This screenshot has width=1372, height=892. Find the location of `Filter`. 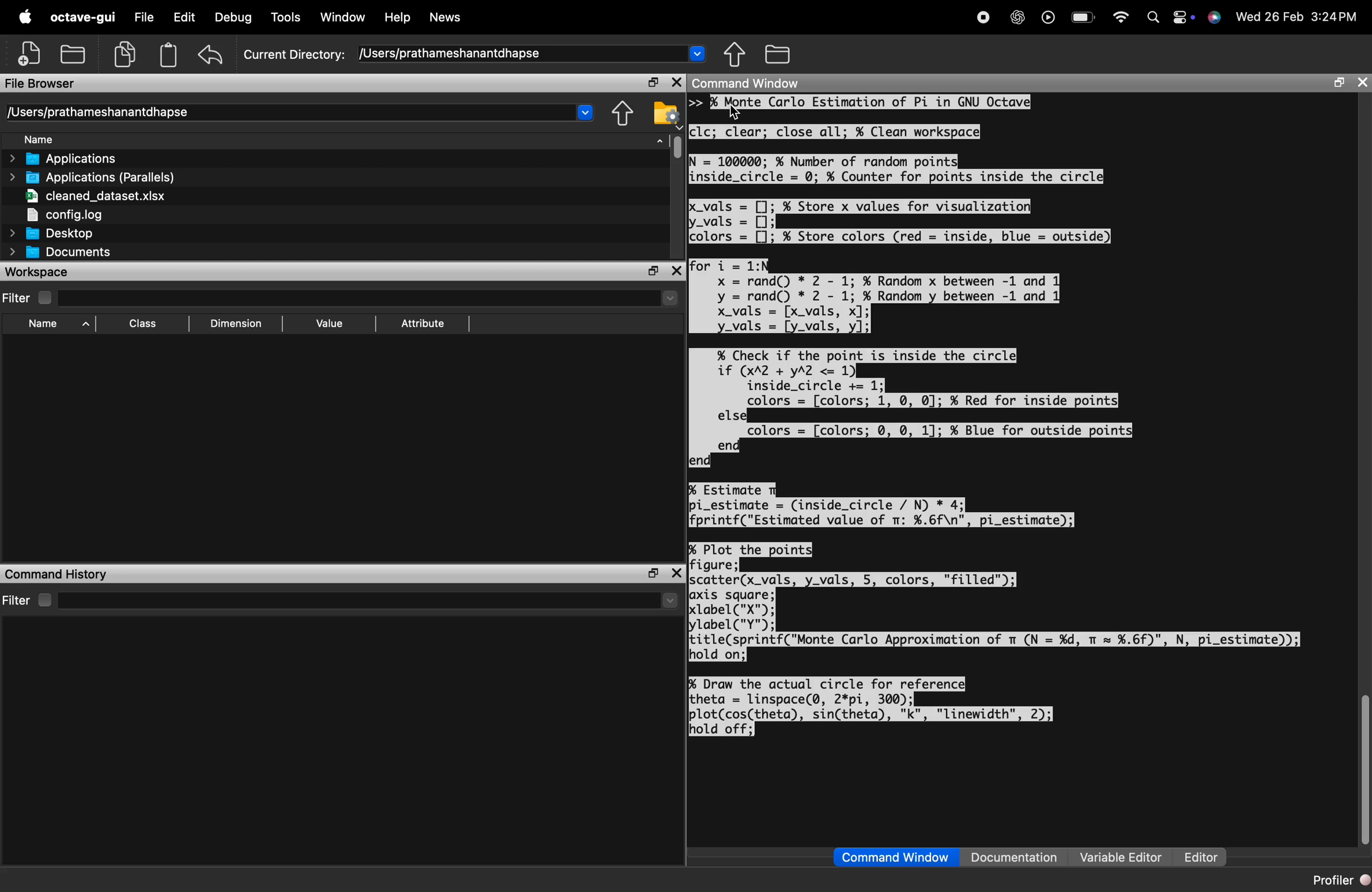

Filter is located at coordinates (27, 297).